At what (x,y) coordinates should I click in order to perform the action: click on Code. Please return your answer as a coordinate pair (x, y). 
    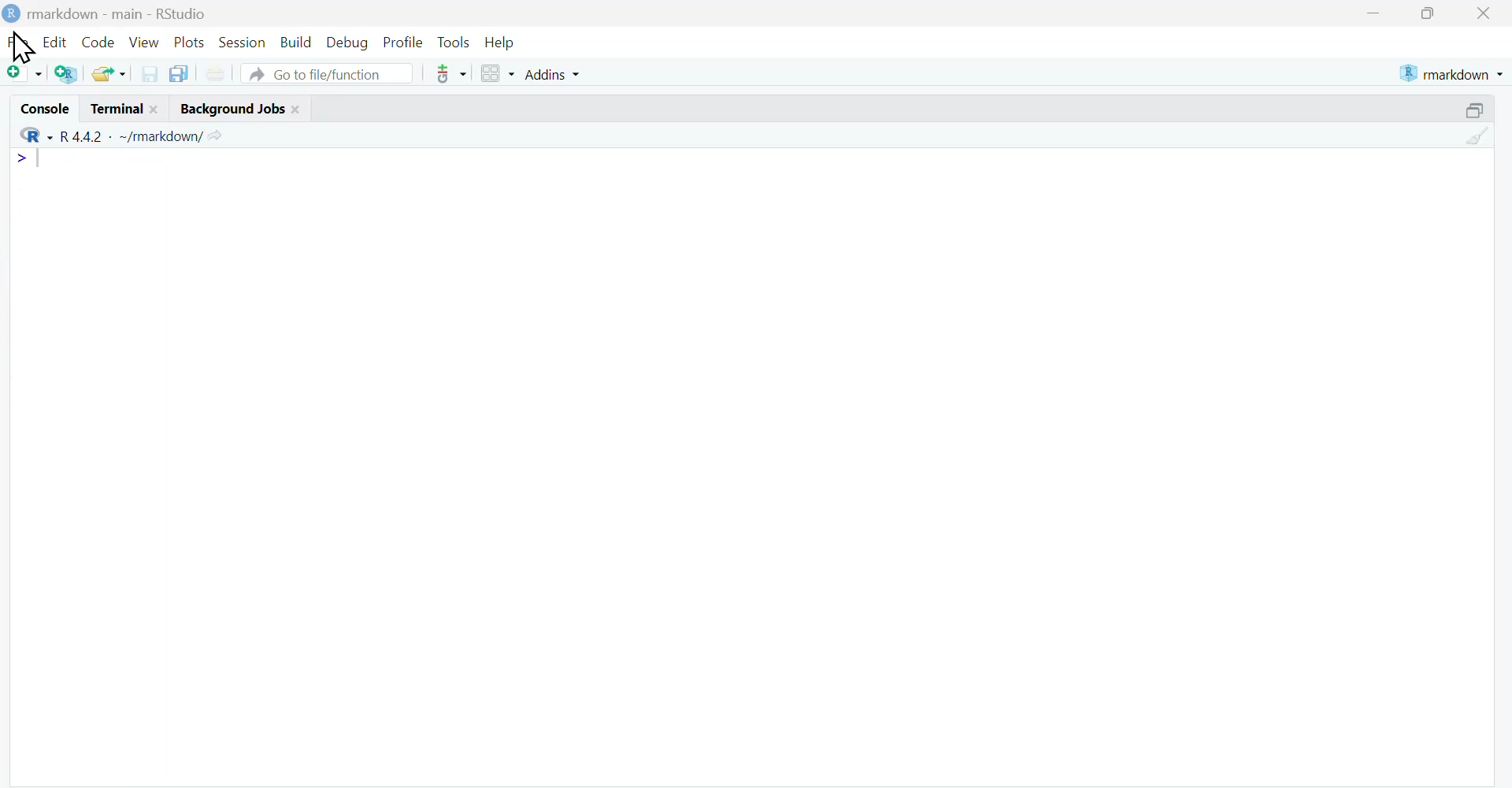
    Looking at the image, I should click on (98, 43).